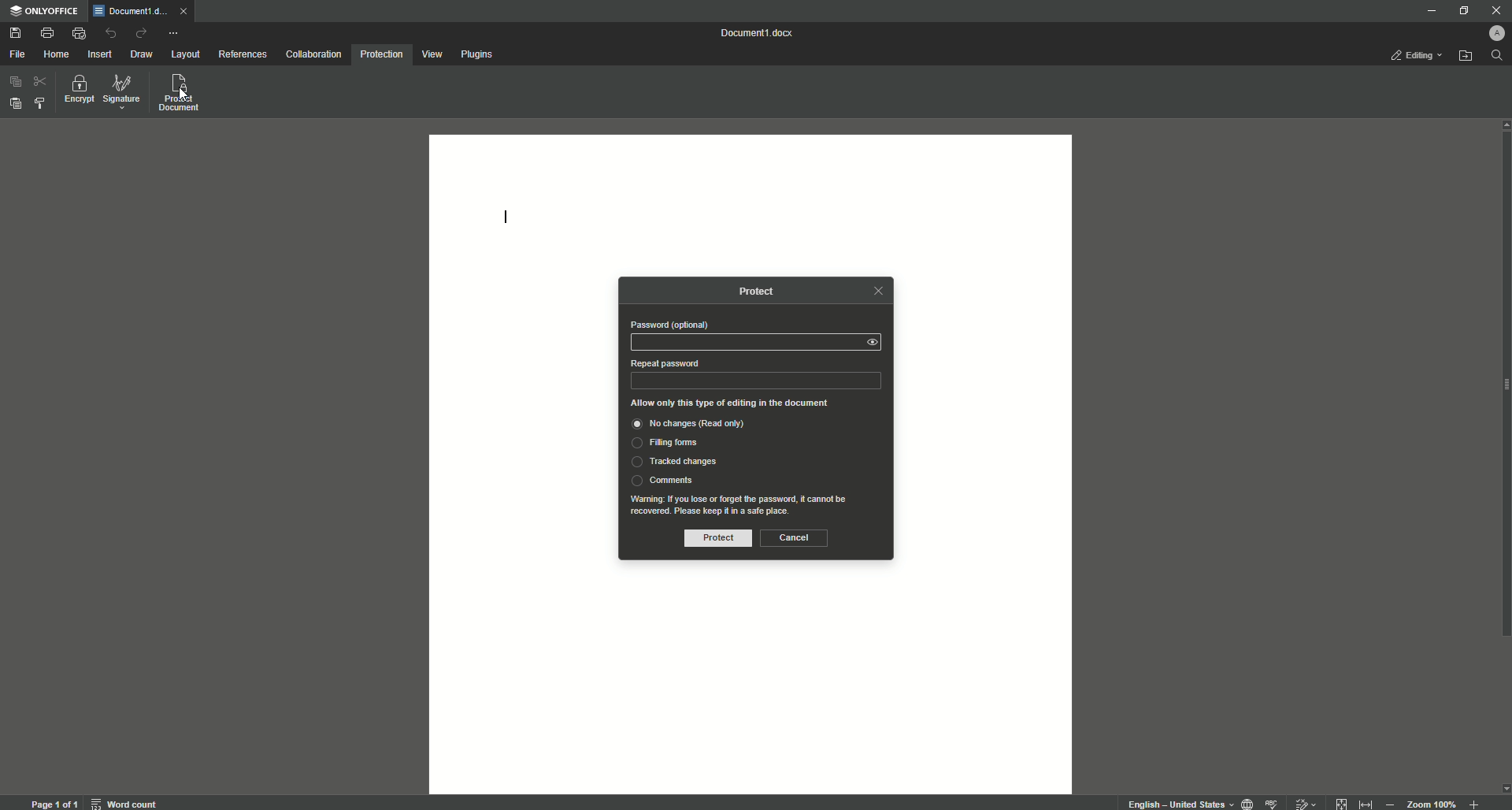  What do you see at coordinates (76, 91) in the screenshot?
I see `Encrypt` at bounding box center [76, 91].